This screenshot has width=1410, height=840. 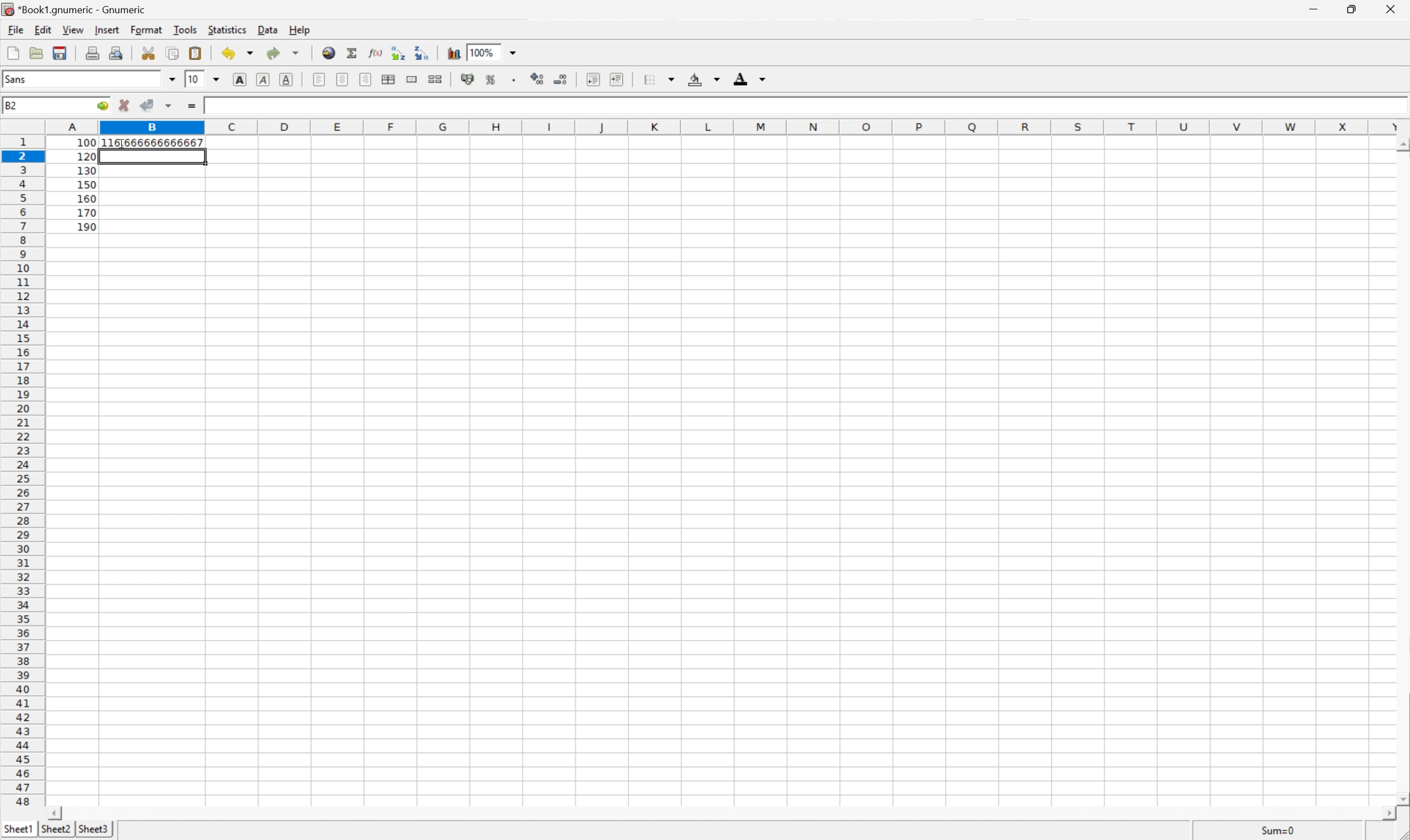 What do you see at coordinates (87, 197) in the screenshot?
I see `160` at bounding box center [87, 197].